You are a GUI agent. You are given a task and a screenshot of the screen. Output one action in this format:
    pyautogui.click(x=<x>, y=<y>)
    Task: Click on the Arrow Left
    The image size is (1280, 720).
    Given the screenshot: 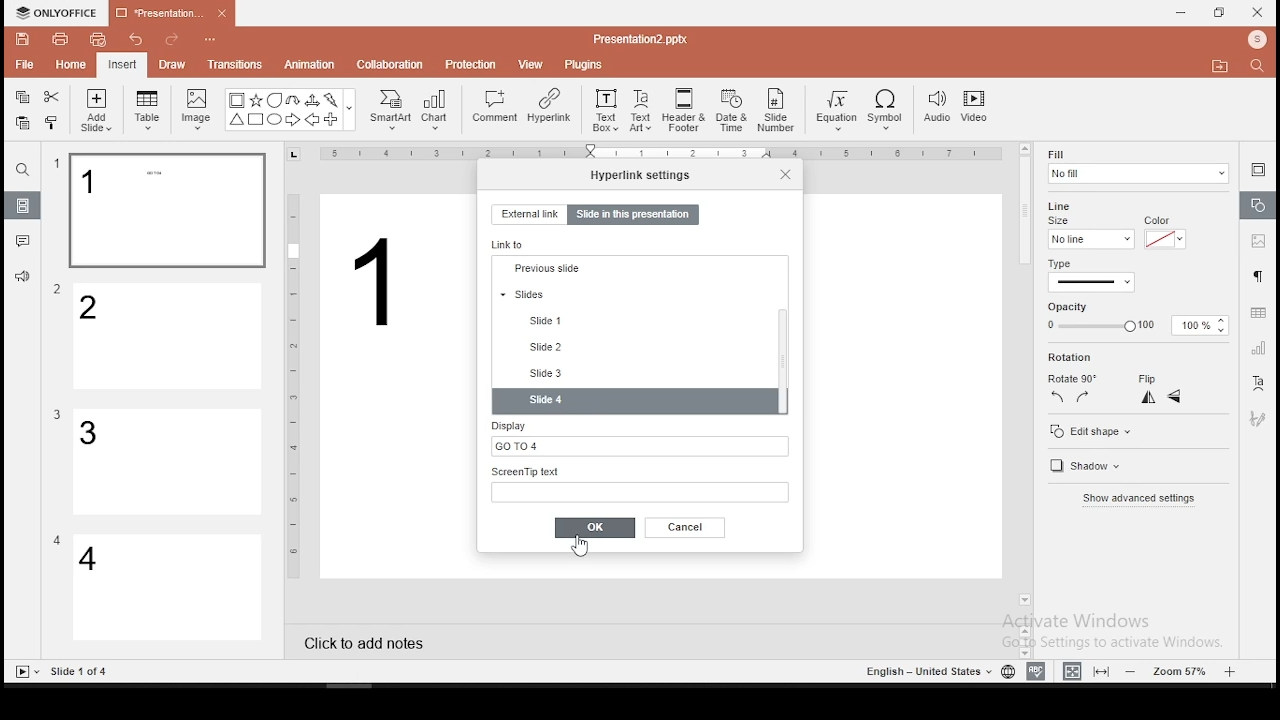 What is the action you would take?
    pyautogui.click(x=312, y=120)
    